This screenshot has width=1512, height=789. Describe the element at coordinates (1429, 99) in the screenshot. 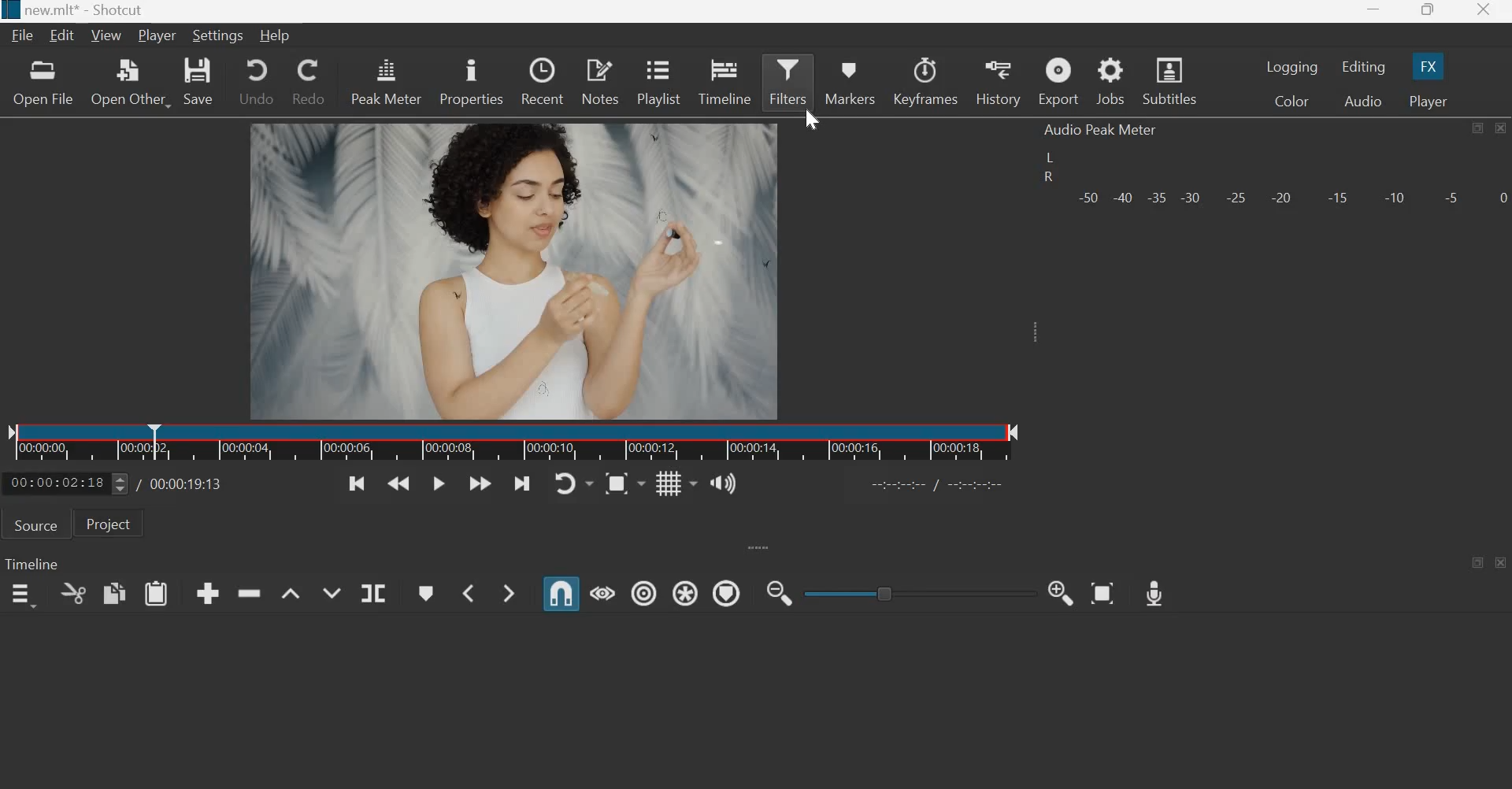

I see `Player` at that location.